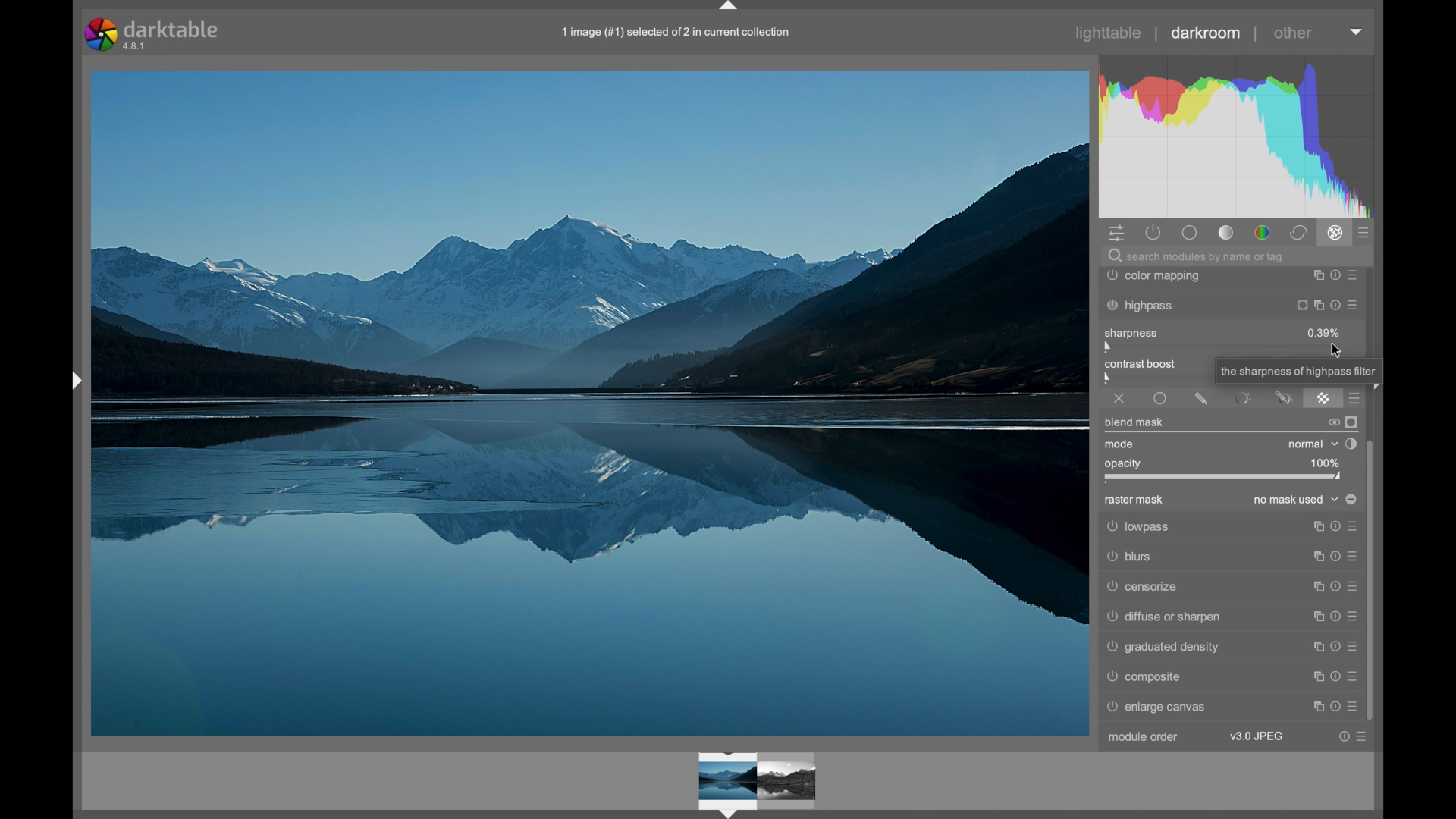 The width and height of the screenshot is (1456, 819). What do you see at coordinates (1334, 676) in the screenshot?
I see `more options` at bounding box center [1334, 676].